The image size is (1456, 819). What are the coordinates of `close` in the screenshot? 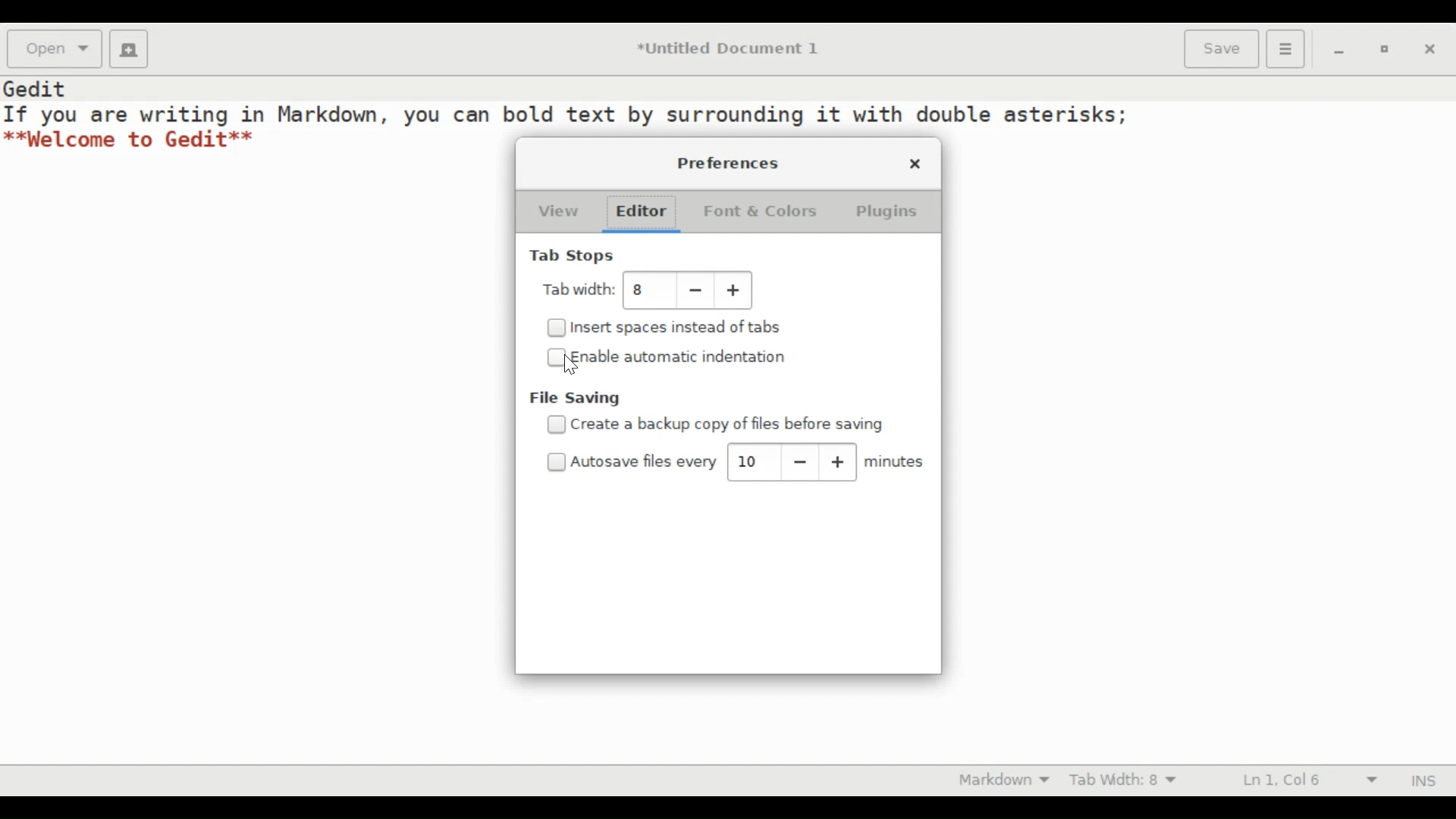 It's located at (1431, 52).